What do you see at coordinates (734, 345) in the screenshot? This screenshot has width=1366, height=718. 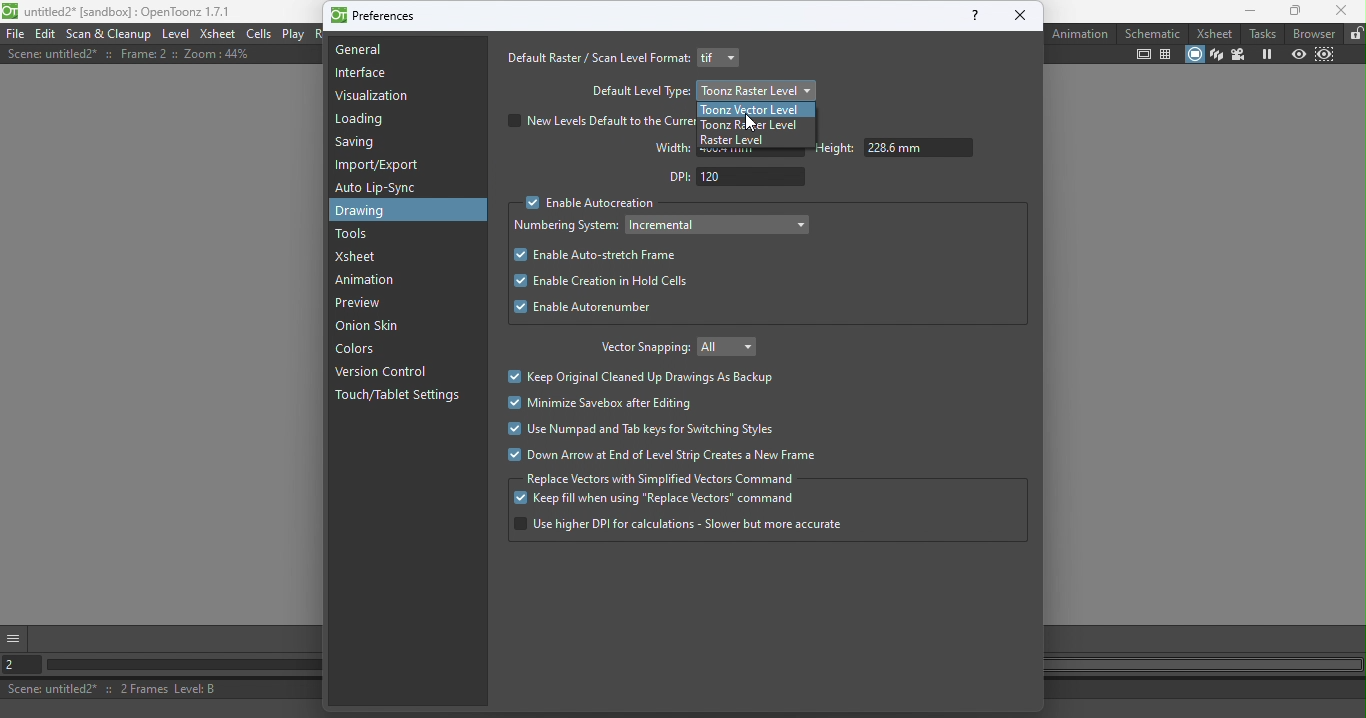 I see `Drop down menu` at bounding box center [734, 345].